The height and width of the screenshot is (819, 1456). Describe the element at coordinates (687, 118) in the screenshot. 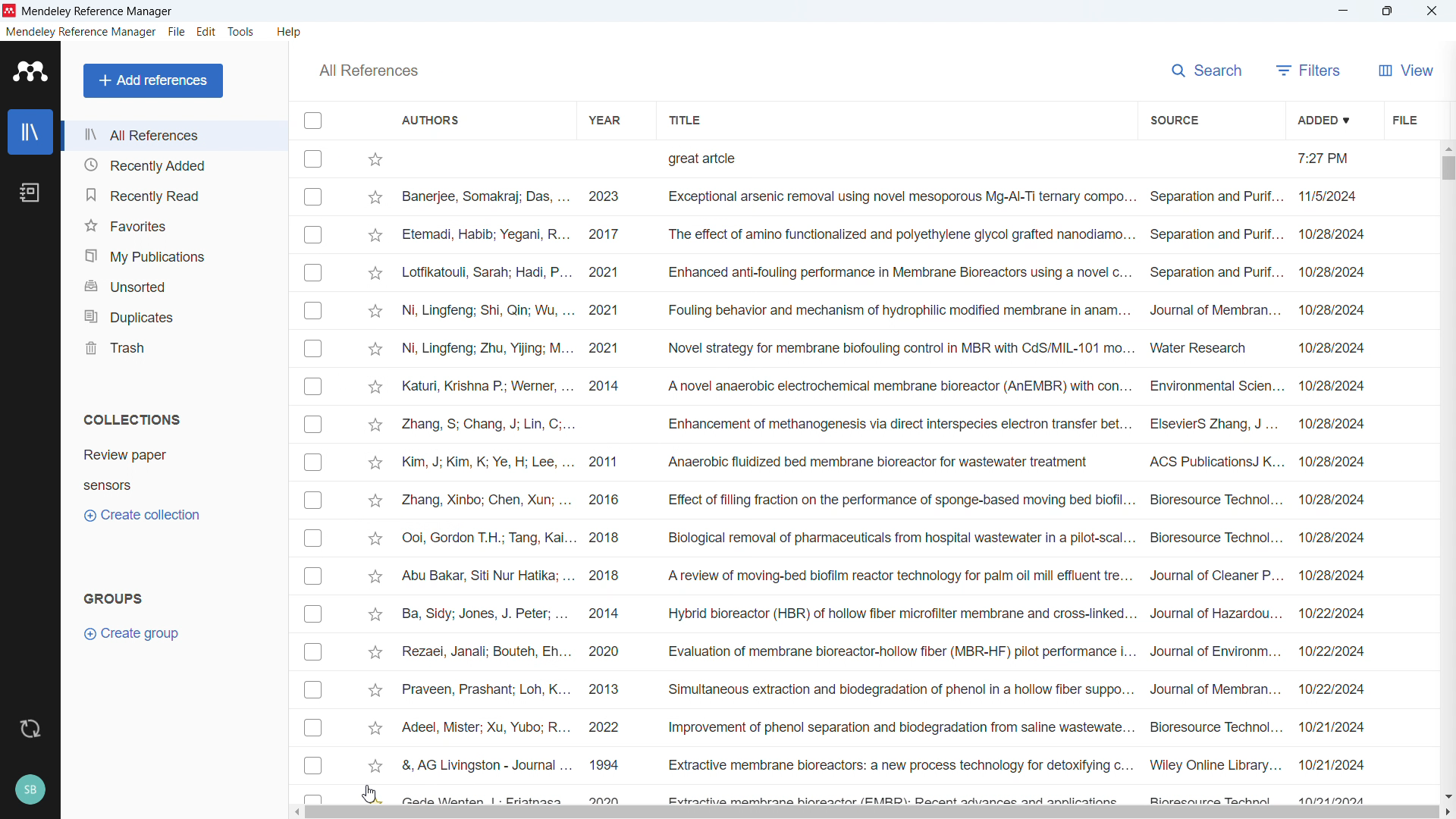

I see `Sort by title ` at that location.